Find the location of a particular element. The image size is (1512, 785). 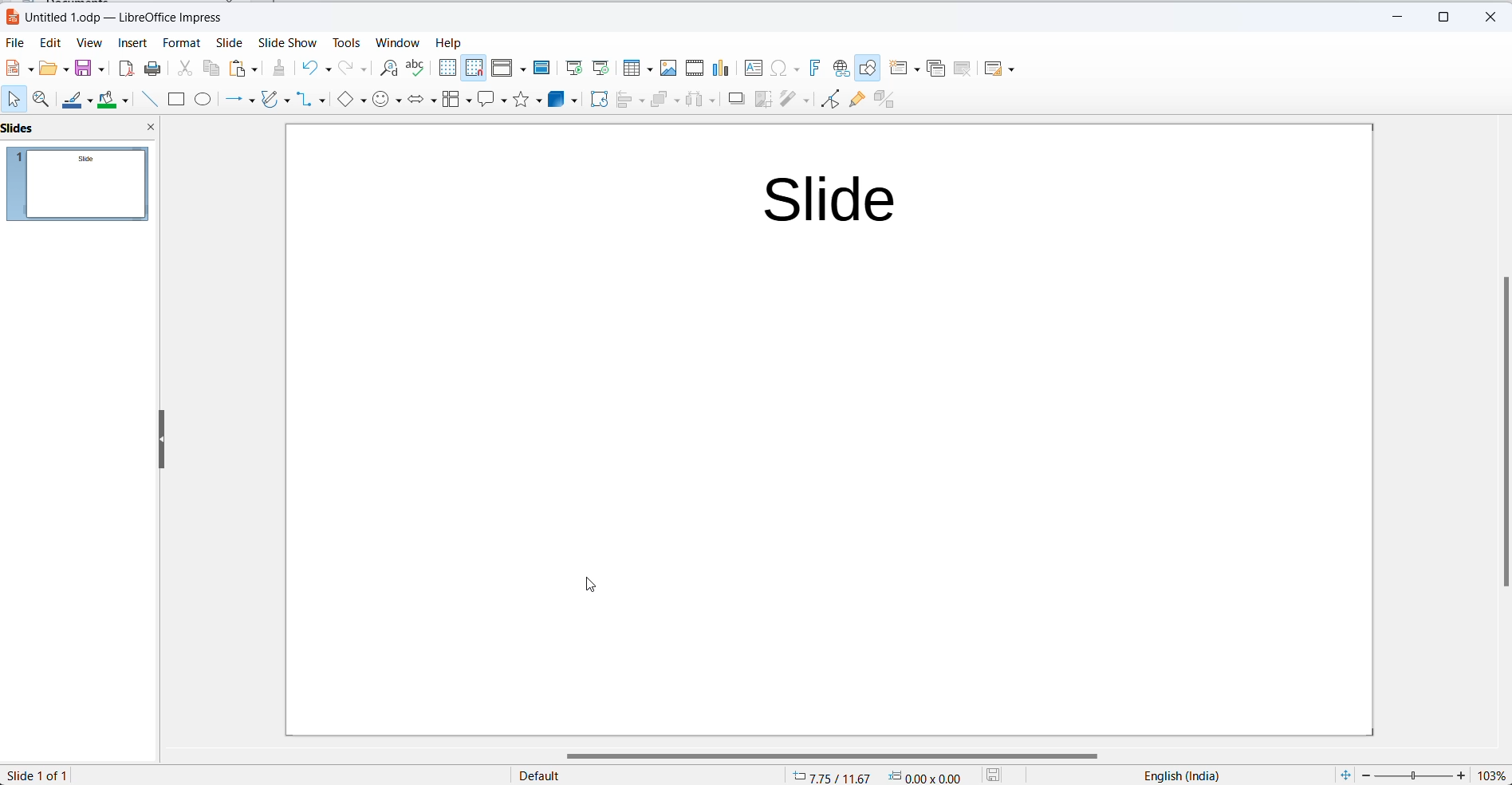

Copy is located at coordinates (207, 71).